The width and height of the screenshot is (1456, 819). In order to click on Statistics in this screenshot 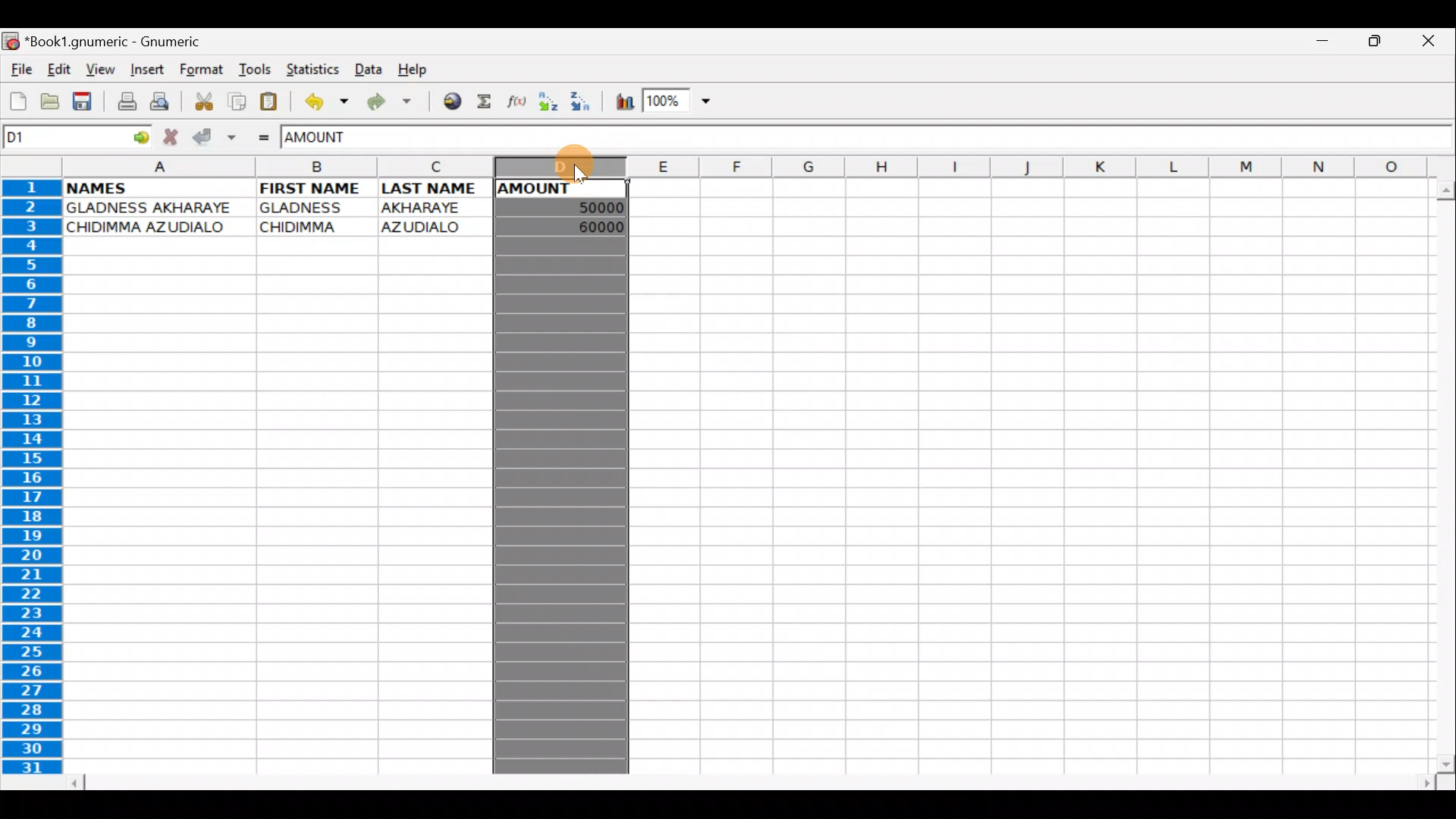, I will do `click(309, 69)`.